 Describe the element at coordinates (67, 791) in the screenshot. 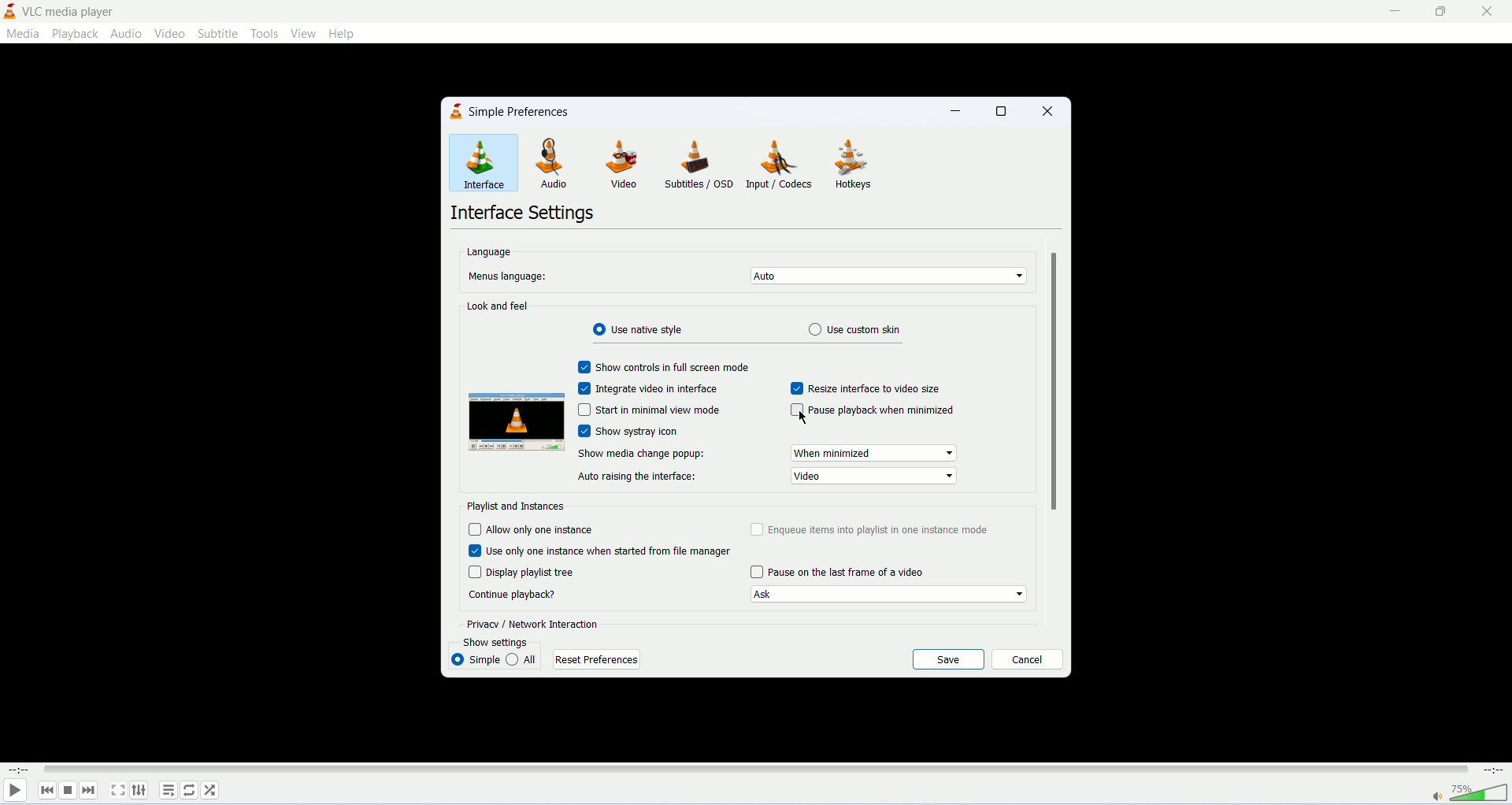

I see `stop` at that location.